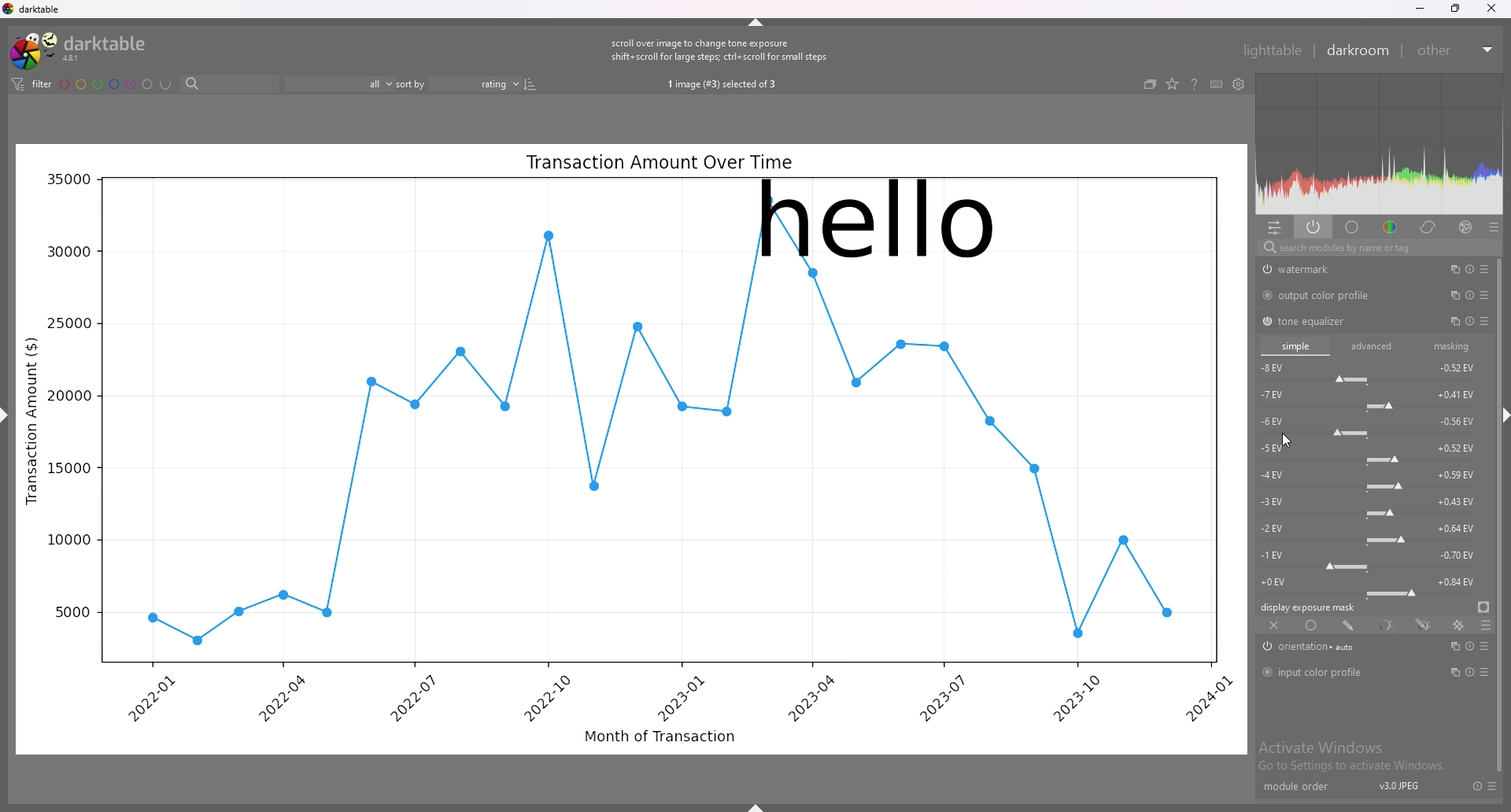 The height and width of the screenshot is (812, 1511). I want to click on sort by, so click(412, 84).